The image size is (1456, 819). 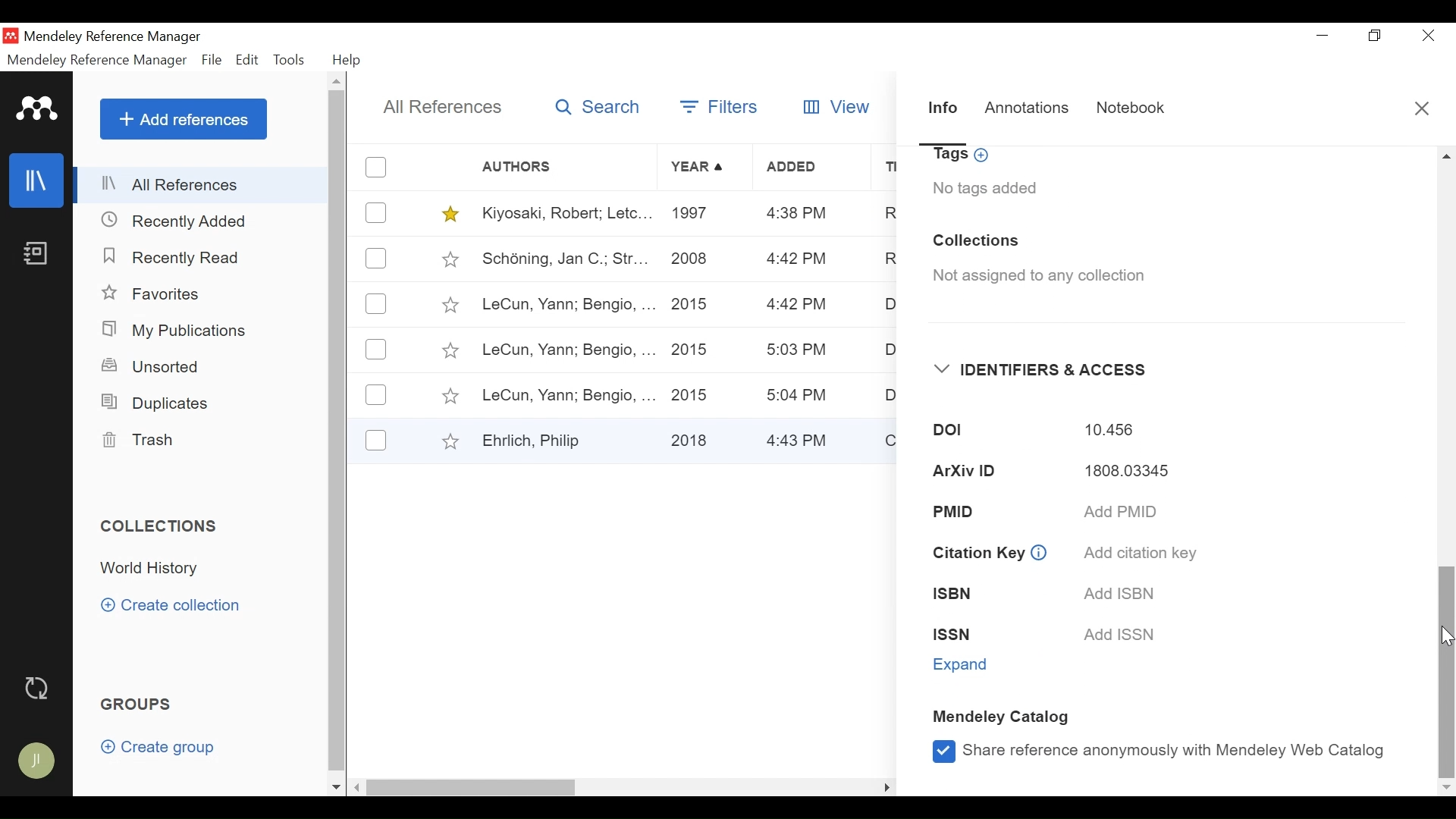 What do you see at coordinates (183, 221) in the screenshot?
I see `Recently Added` at bounding box center [183, 221].